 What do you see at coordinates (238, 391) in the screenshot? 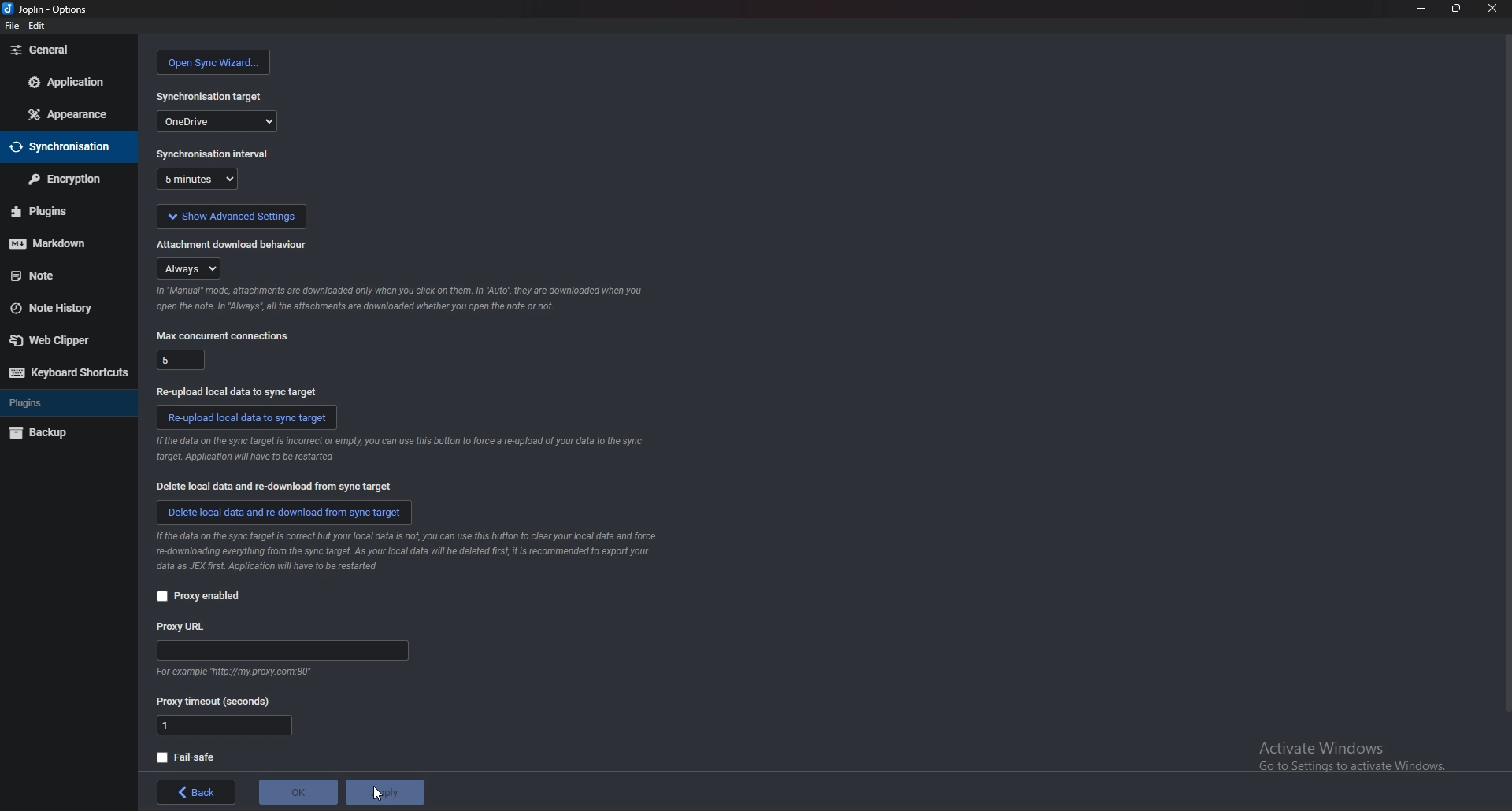
I see `re upload local data to sync target` at bounding box center [238, 391].